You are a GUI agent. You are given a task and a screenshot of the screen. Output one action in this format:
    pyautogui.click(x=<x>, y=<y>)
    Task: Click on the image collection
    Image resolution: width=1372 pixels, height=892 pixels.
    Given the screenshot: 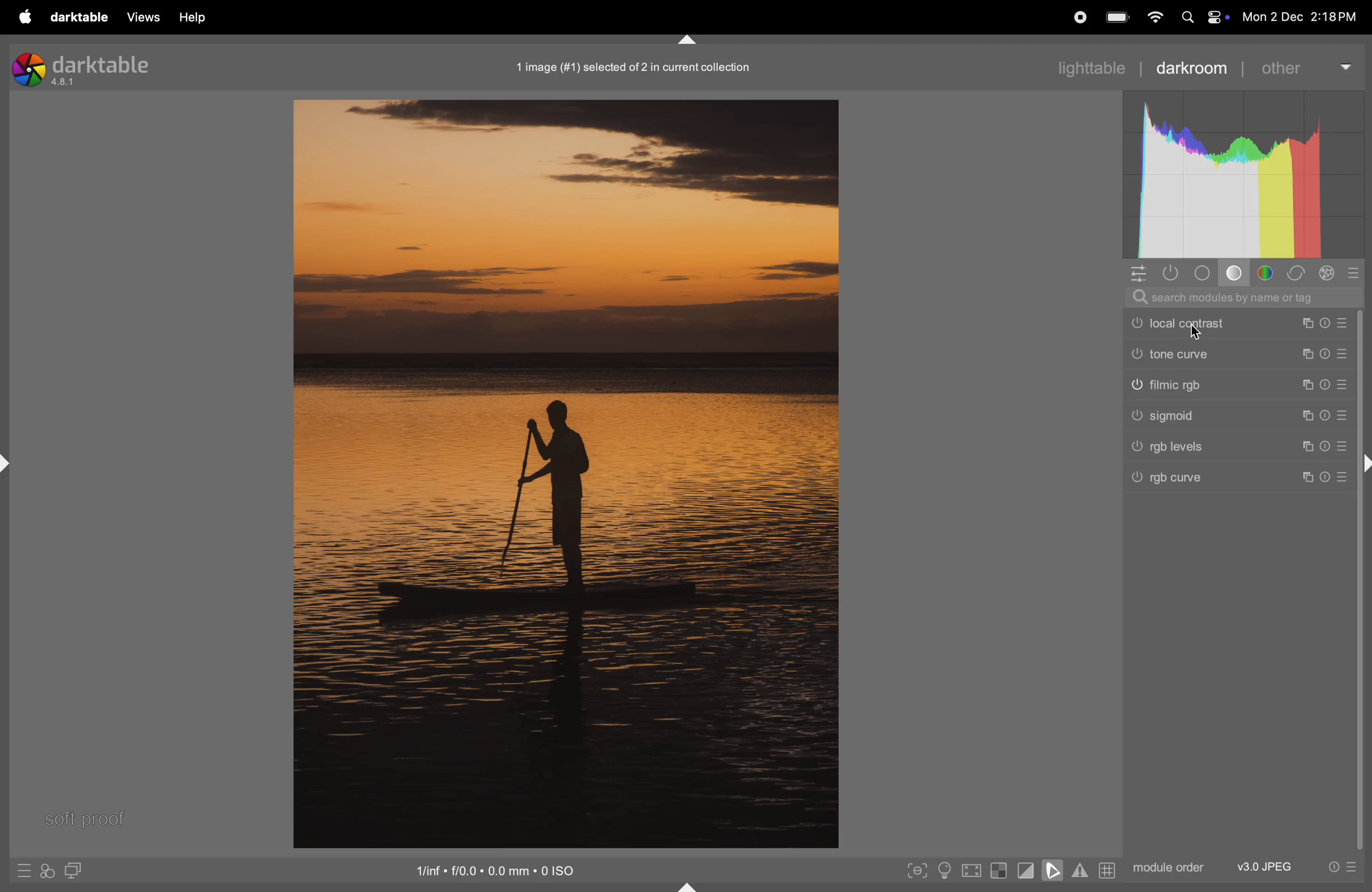 What is the action you would take?
    pyautogui.click(x=634, y=67)
    